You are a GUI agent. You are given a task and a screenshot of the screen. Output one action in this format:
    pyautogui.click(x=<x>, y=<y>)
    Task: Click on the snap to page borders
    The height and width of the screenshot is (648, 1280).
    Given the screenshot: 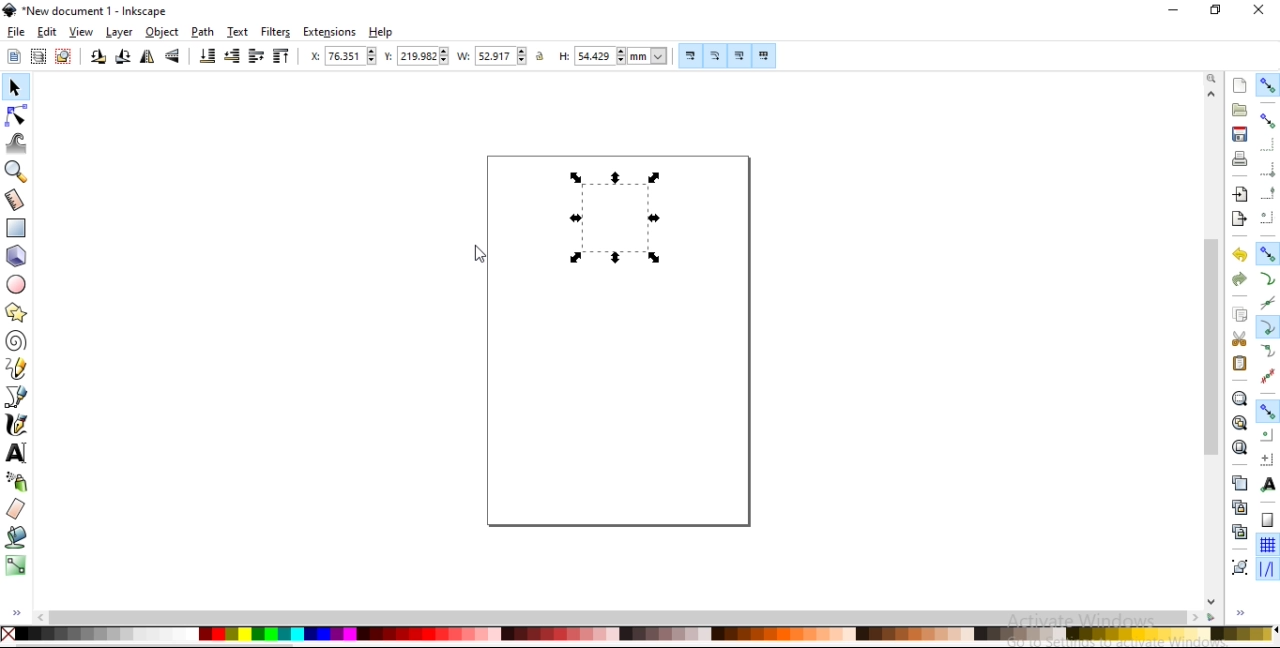 What is the action you would take?
    pyautogui.click(x=1267, y=519)
    